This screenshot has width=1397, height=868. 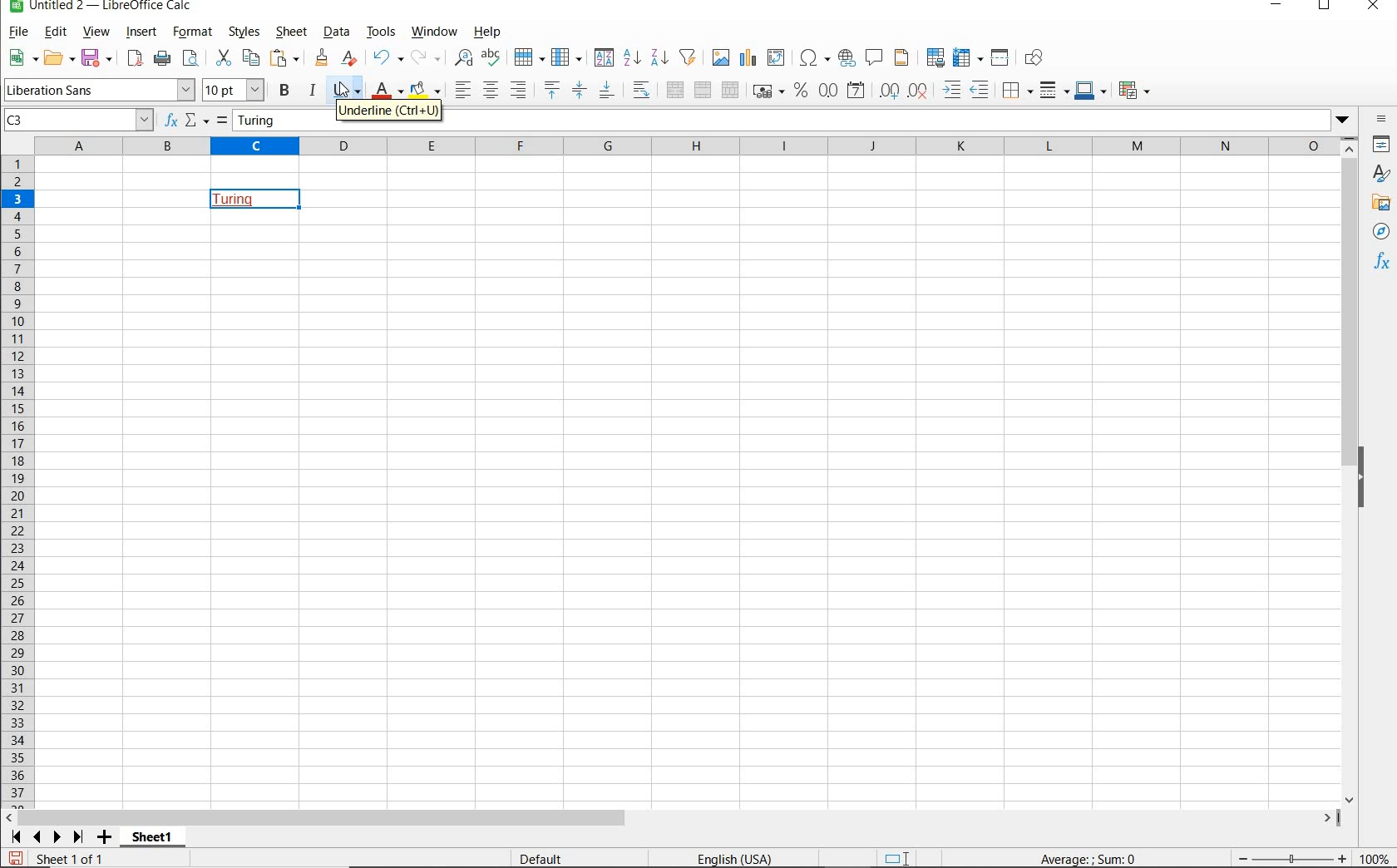 I want to click on NAVIGATOR, so click(x=1382, y=233).